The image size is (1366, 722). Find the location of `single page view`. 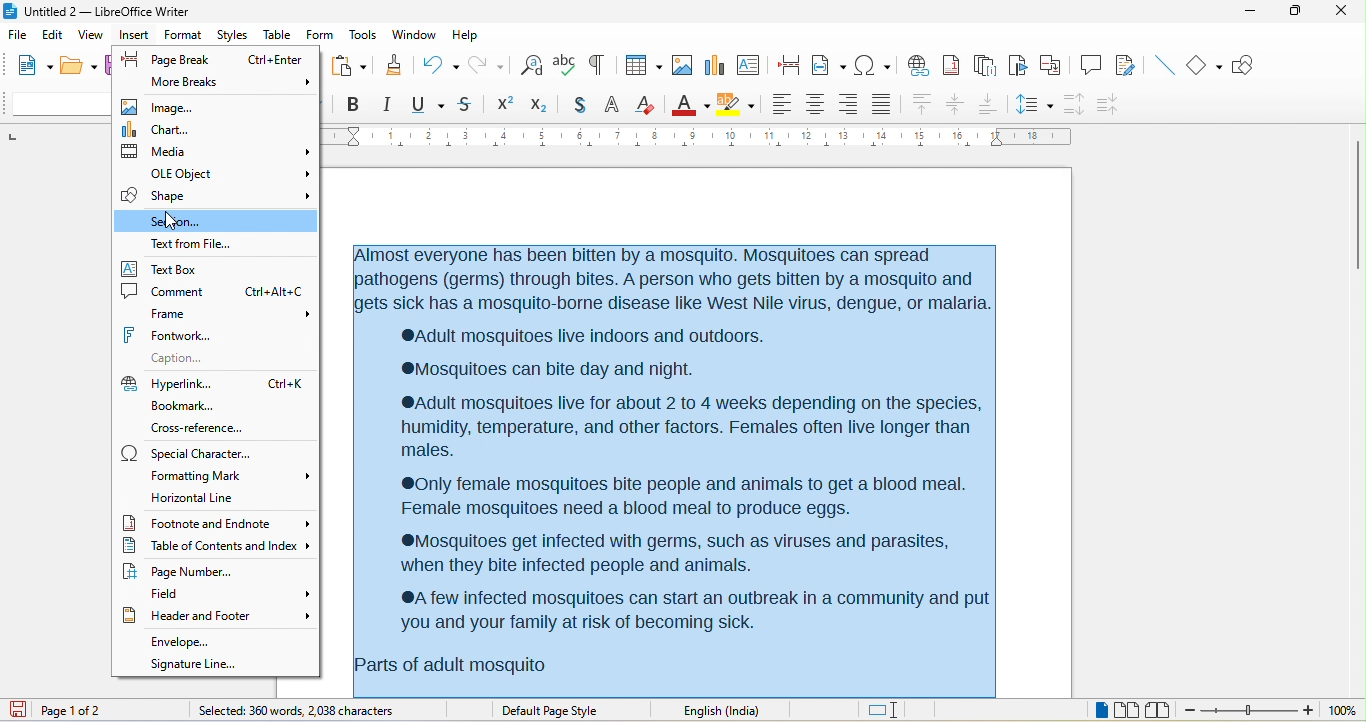

single page view is located at coordinates (1102, 710).